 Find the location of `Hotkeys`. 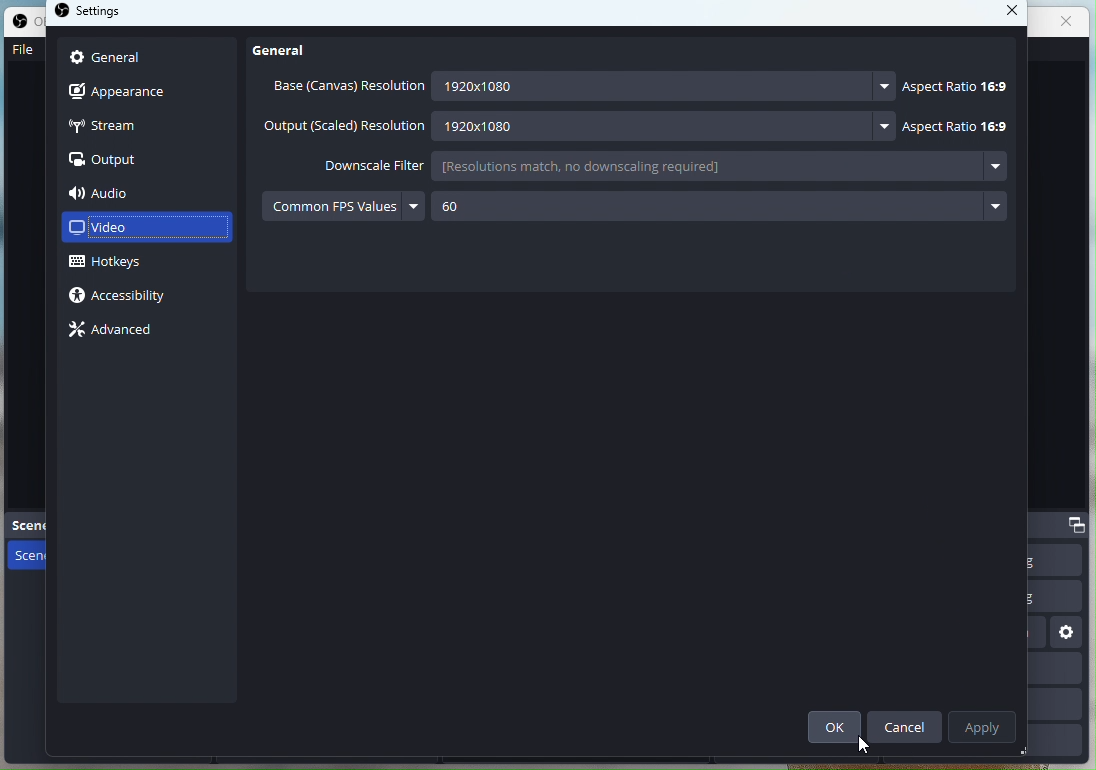

Hotkeys is located at coordinates (124, 264).